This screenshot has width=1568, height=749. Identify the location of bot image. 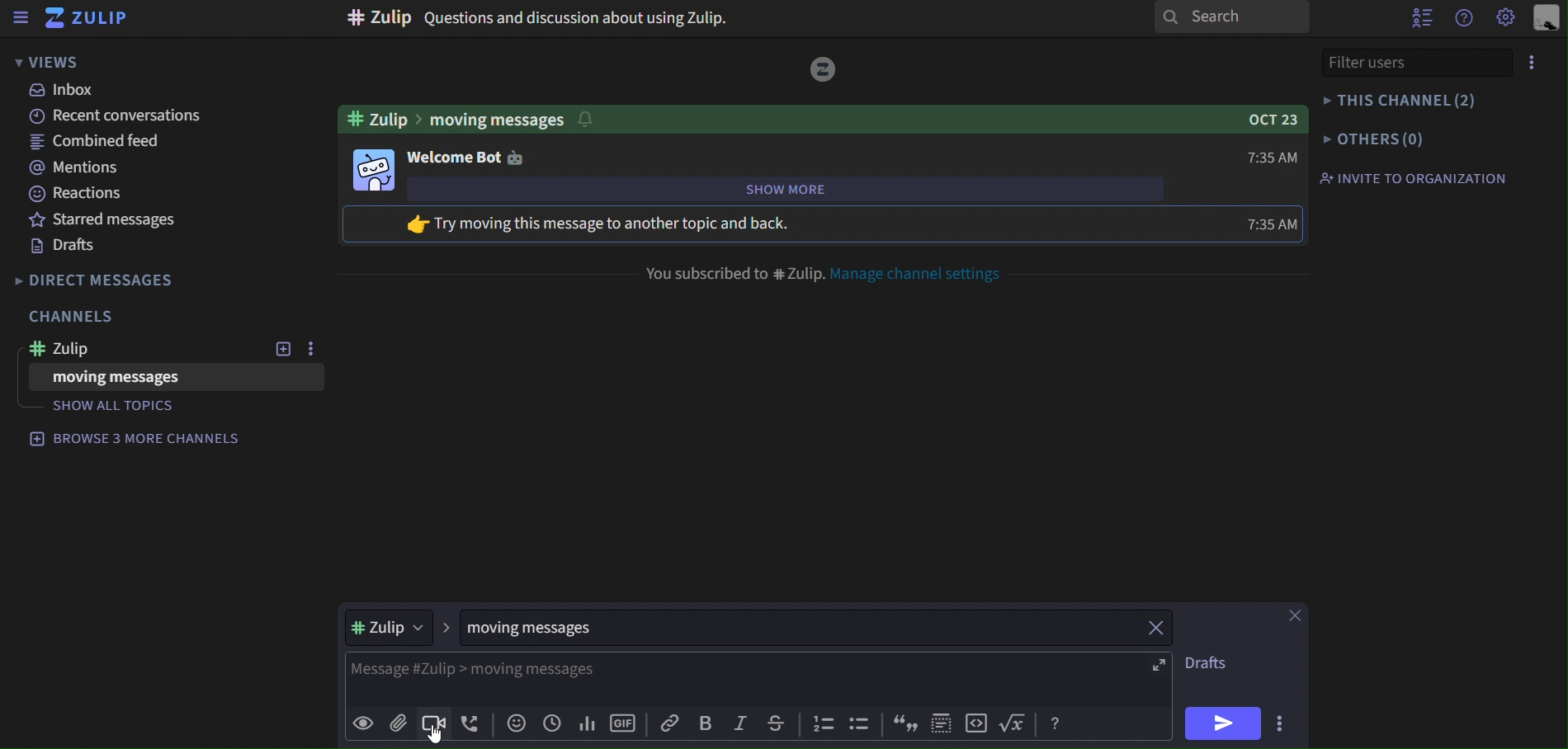
(373, 168).